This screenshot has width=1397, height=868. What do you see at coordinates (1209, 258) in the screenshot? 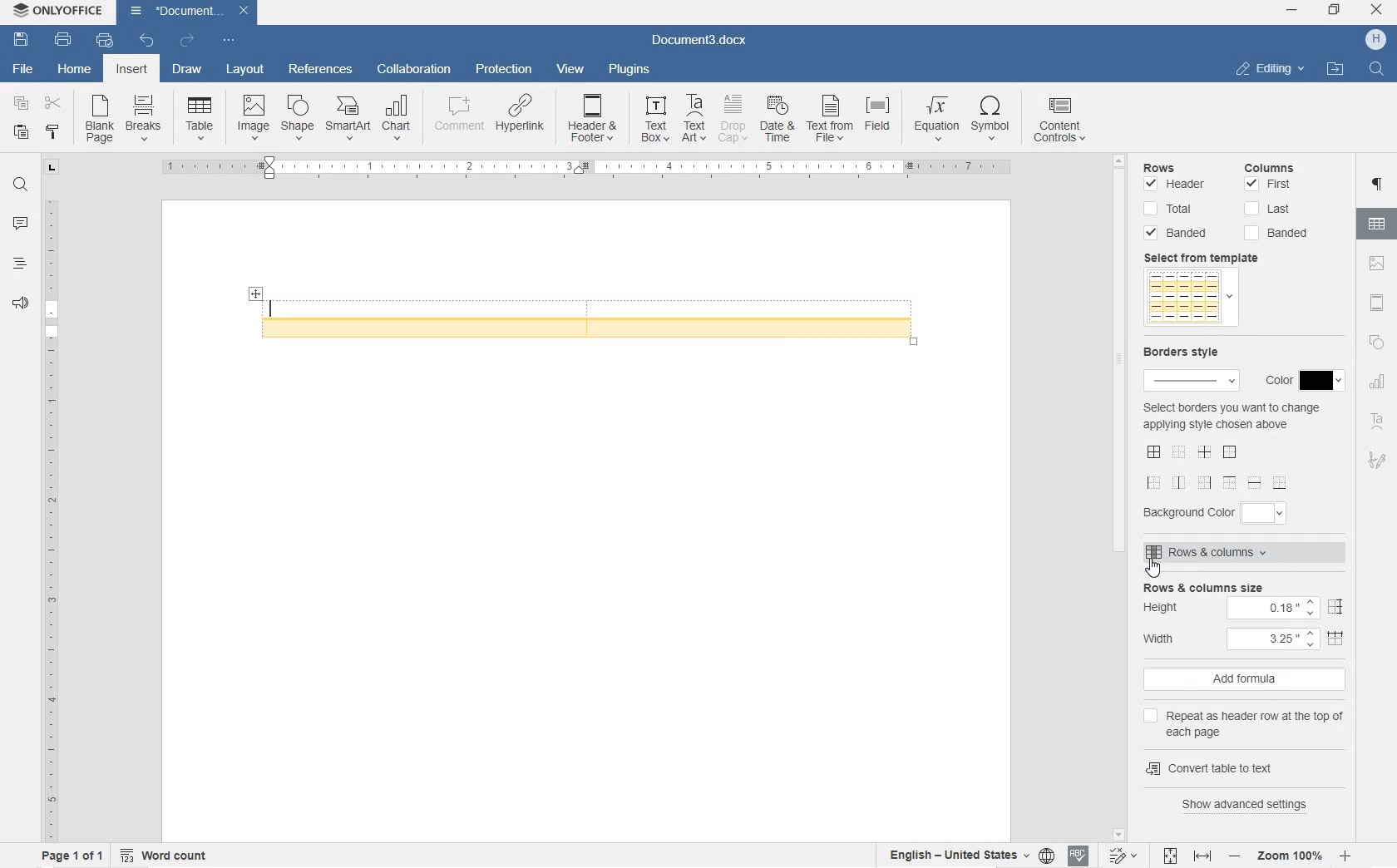
I see `select from template` at bounding box center [1209, 258].